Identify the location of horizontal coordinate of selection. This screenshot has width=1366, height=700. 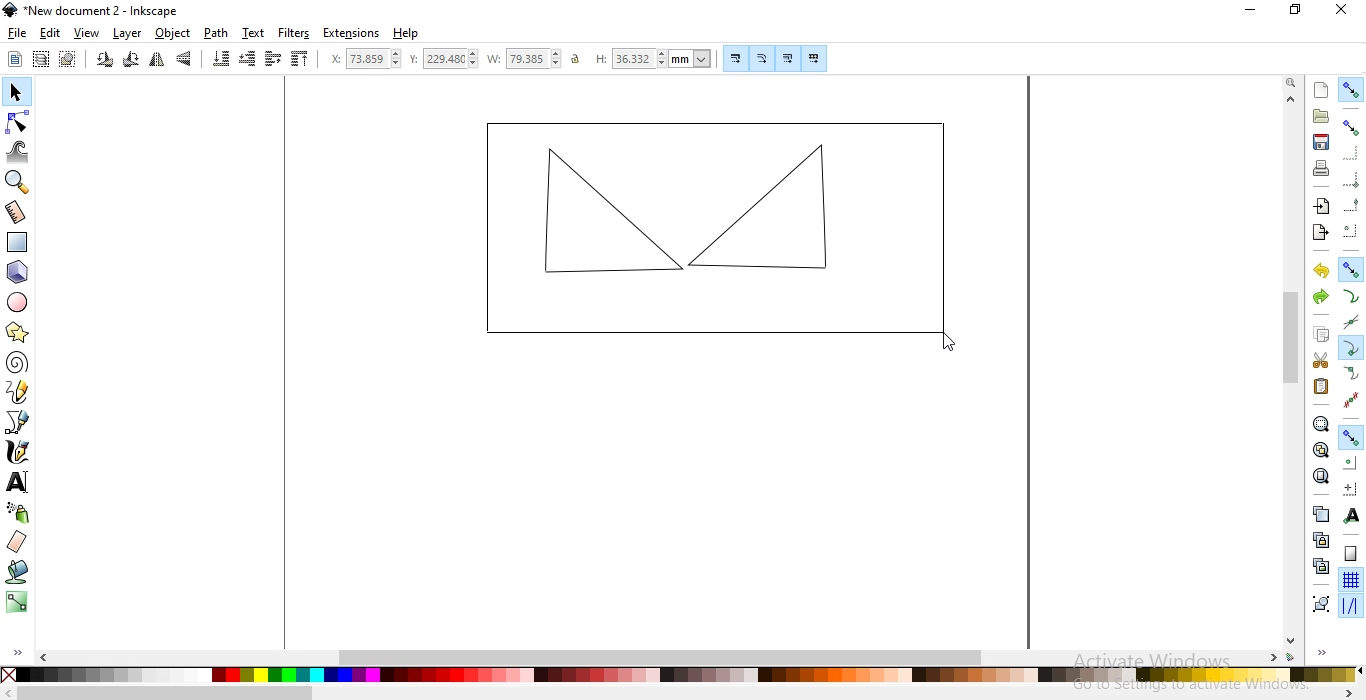
(359, 58).